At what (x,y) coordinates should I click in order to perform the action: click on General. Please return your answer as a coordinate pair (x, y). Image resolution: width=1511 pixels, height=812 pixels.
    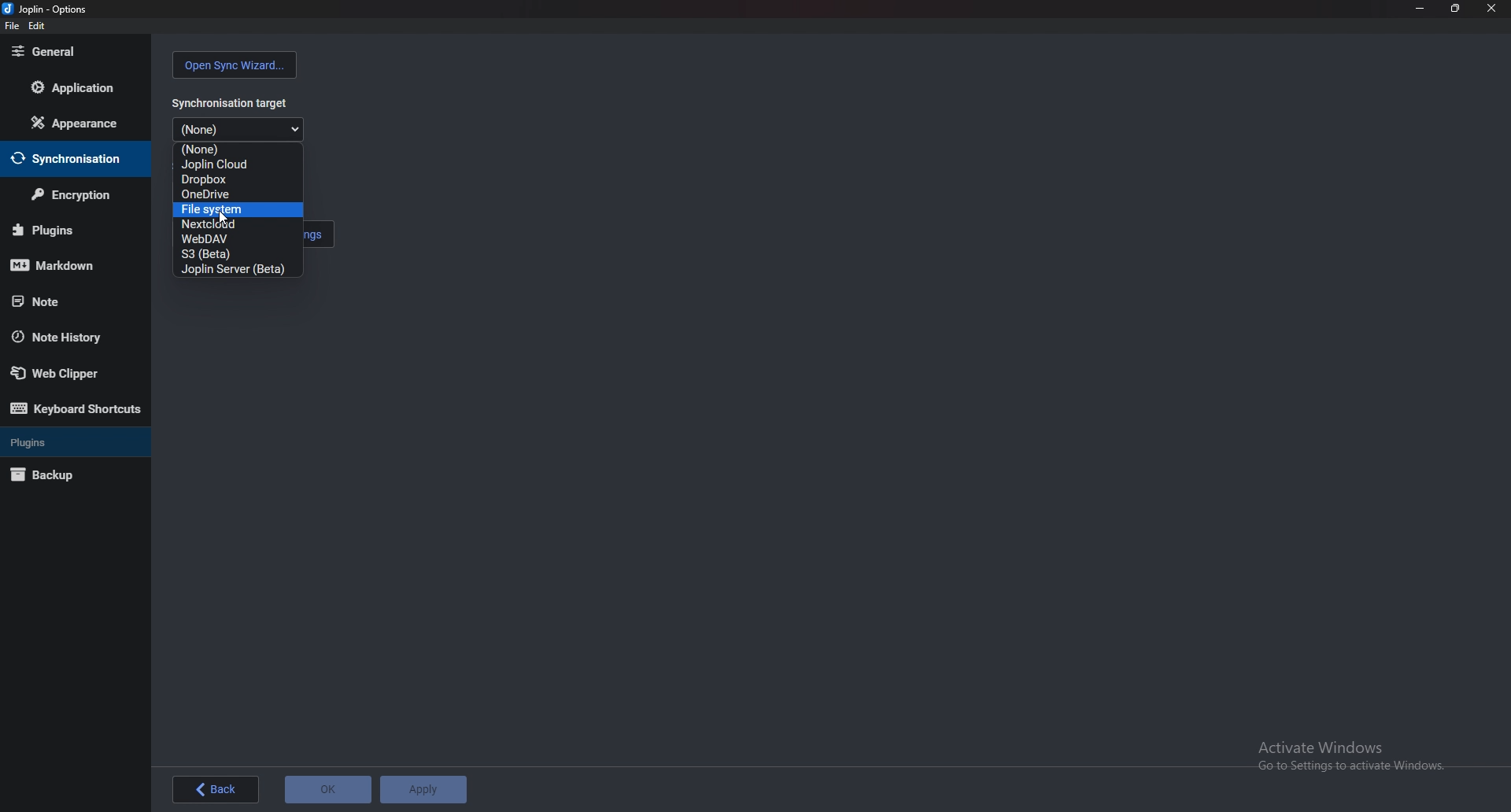
    Looking at the image, I should click on (73, 50).